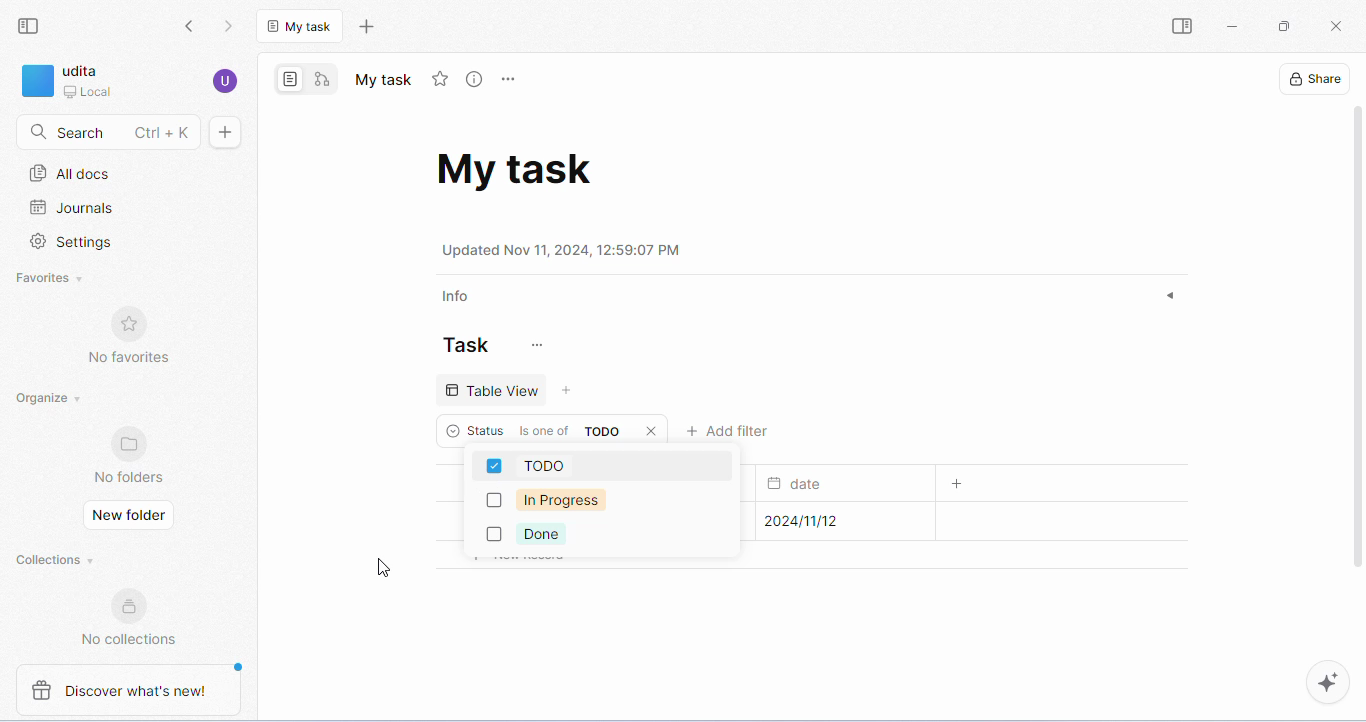 The image size is (1366, 722). Describe the element at coordinates (466, 345) in the screenshot. I see `task` at that location.